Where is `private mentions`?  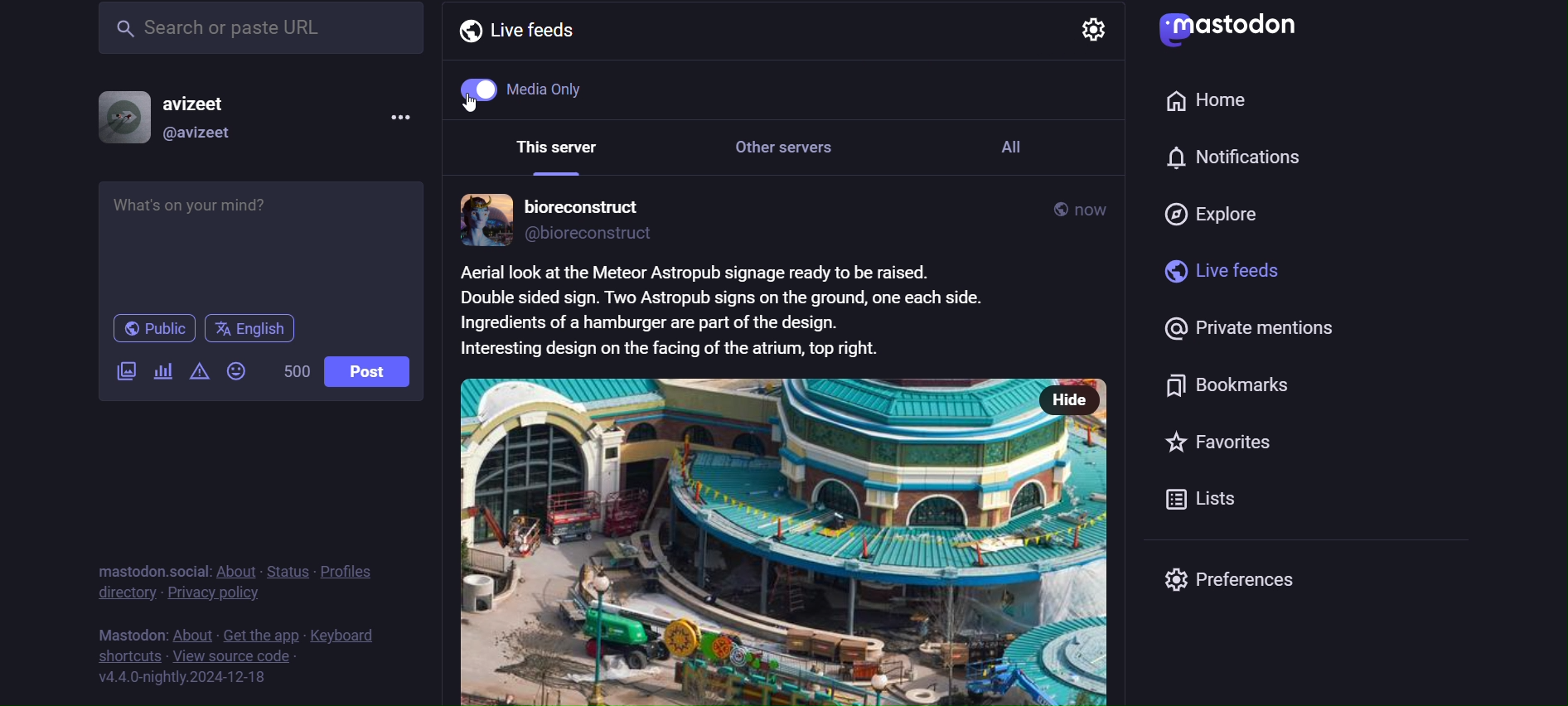
private mentions is located at coordinates (1260, 332).